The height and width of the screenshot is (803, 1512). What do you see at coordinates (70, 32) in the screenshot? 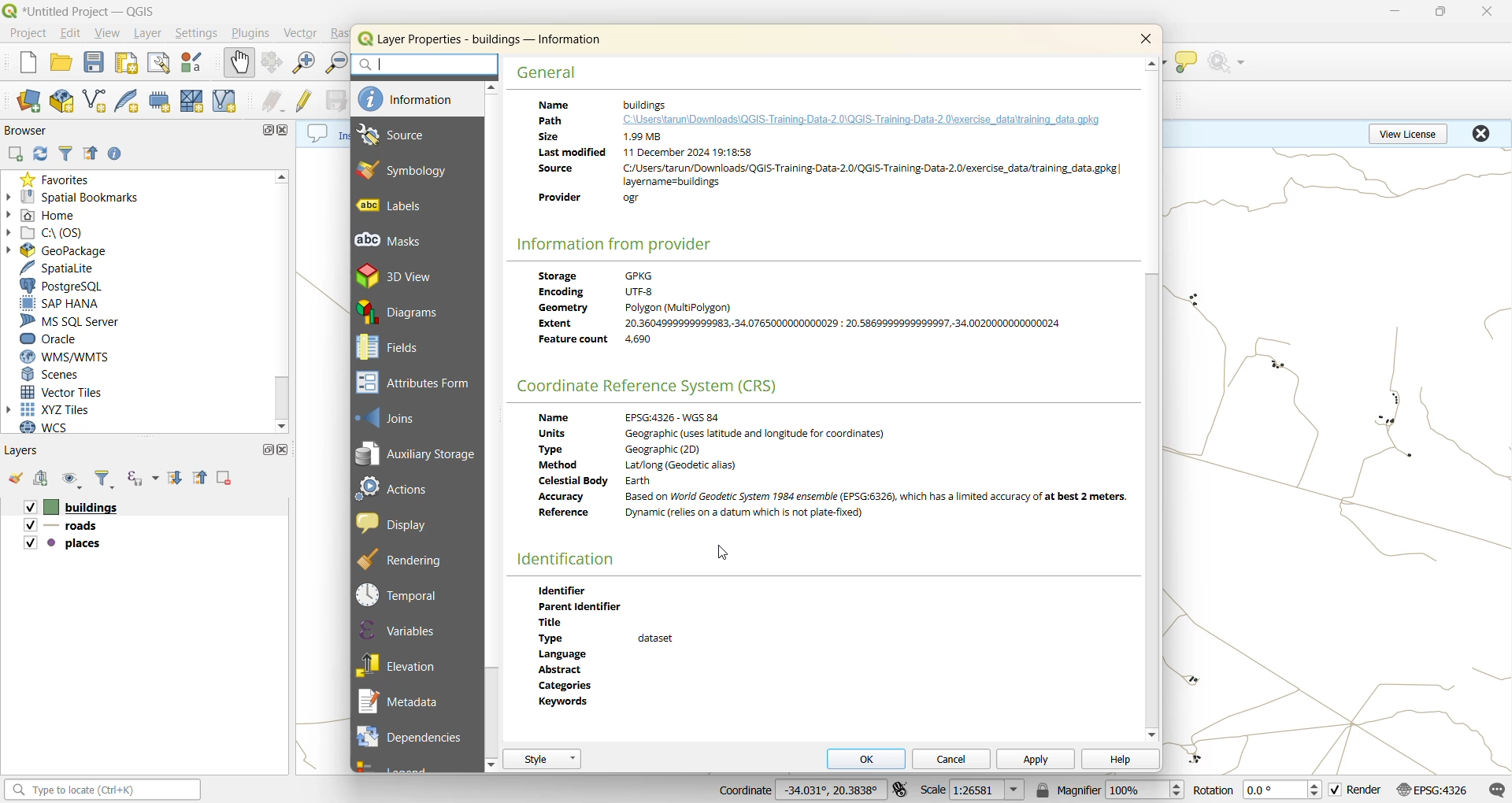
I see `edit` at bounding box center [70, 32].